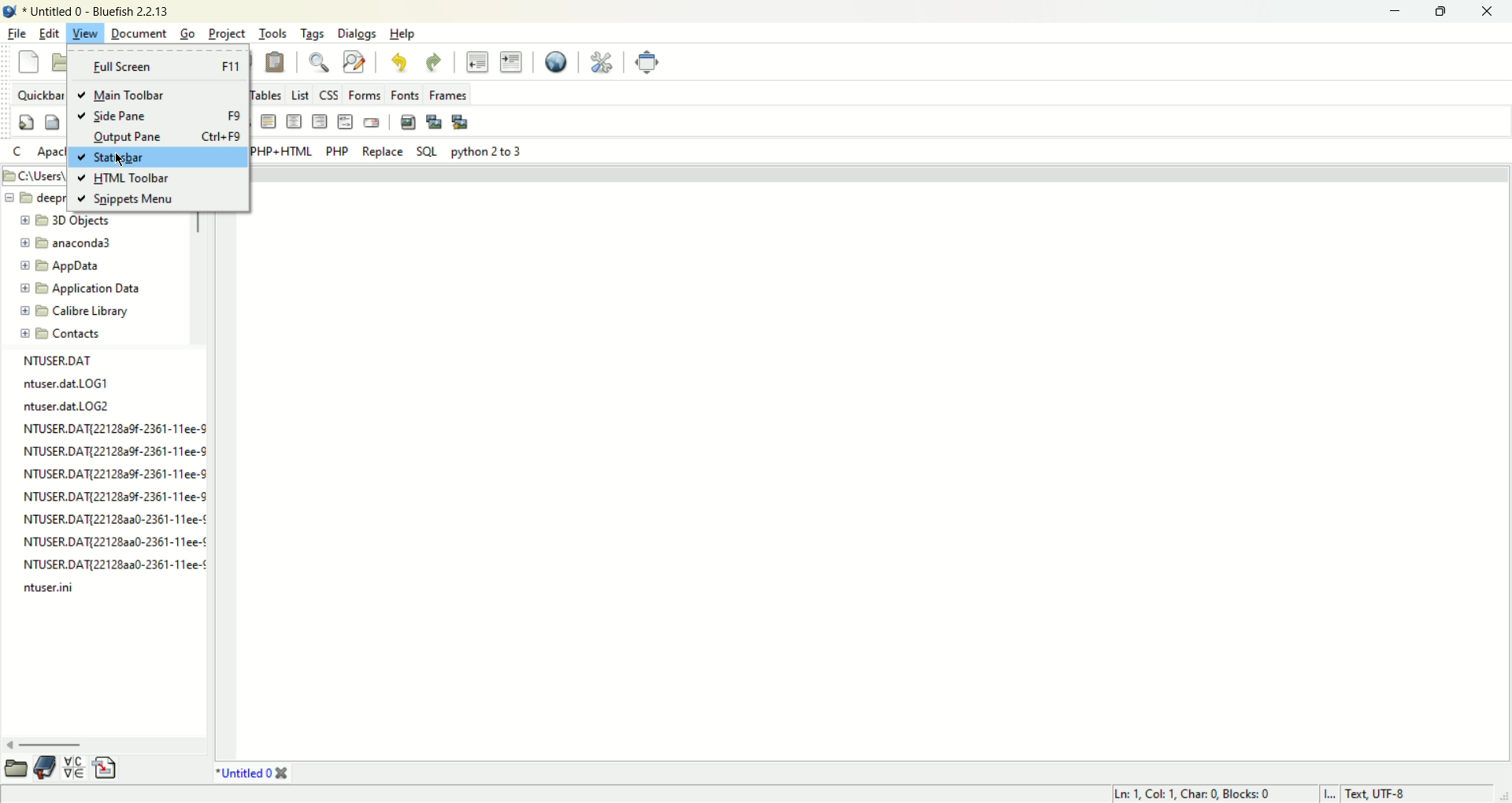  I want to click on fullscreen, so click(649, 63).